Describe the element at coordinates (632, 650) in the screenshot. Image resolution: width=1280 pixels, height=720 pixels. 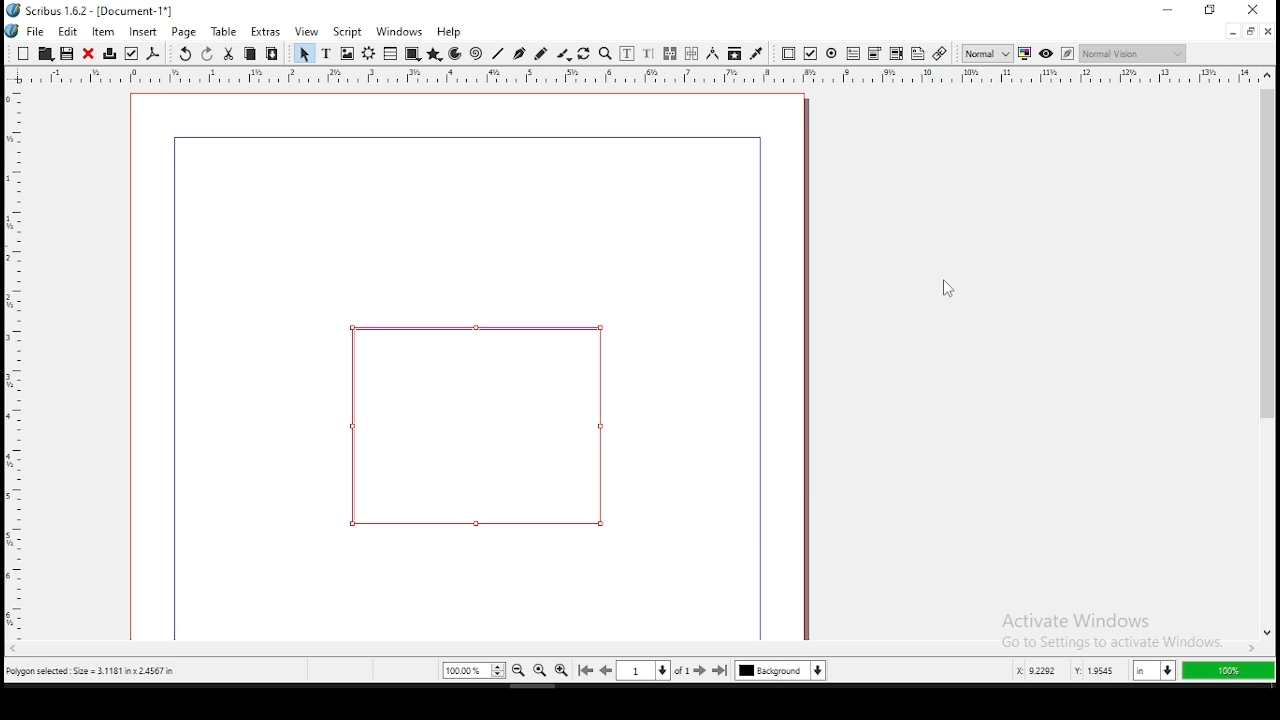
I see `scroll bar` at that location.